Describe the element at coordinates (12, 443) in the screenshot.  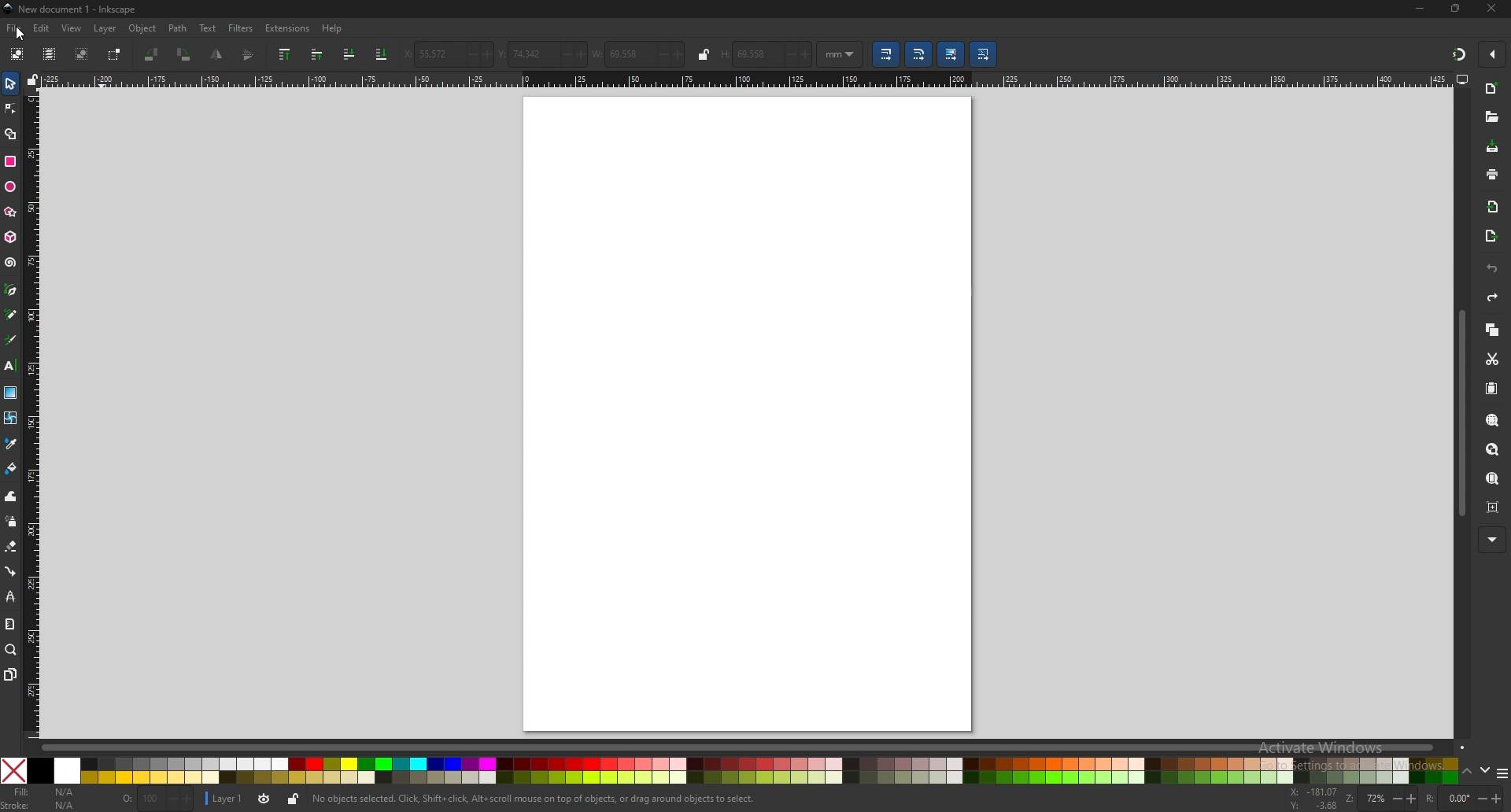
I see `dropper` at that location.